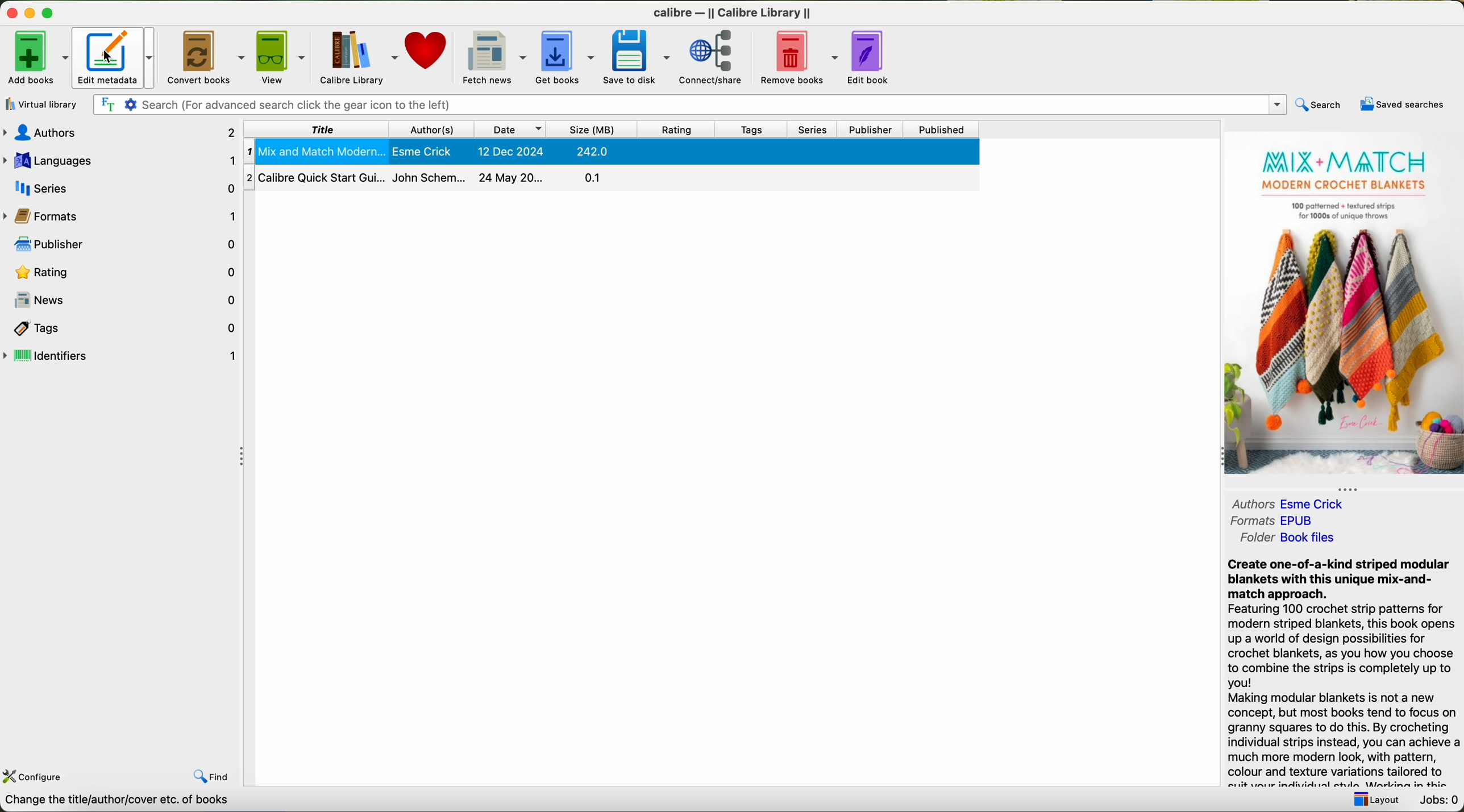 The height and width of the screenshot is (812, 1464). What do you see at coordinates (215, 777) in the screenshot?
I see `find` at bounding box center [215, 777].